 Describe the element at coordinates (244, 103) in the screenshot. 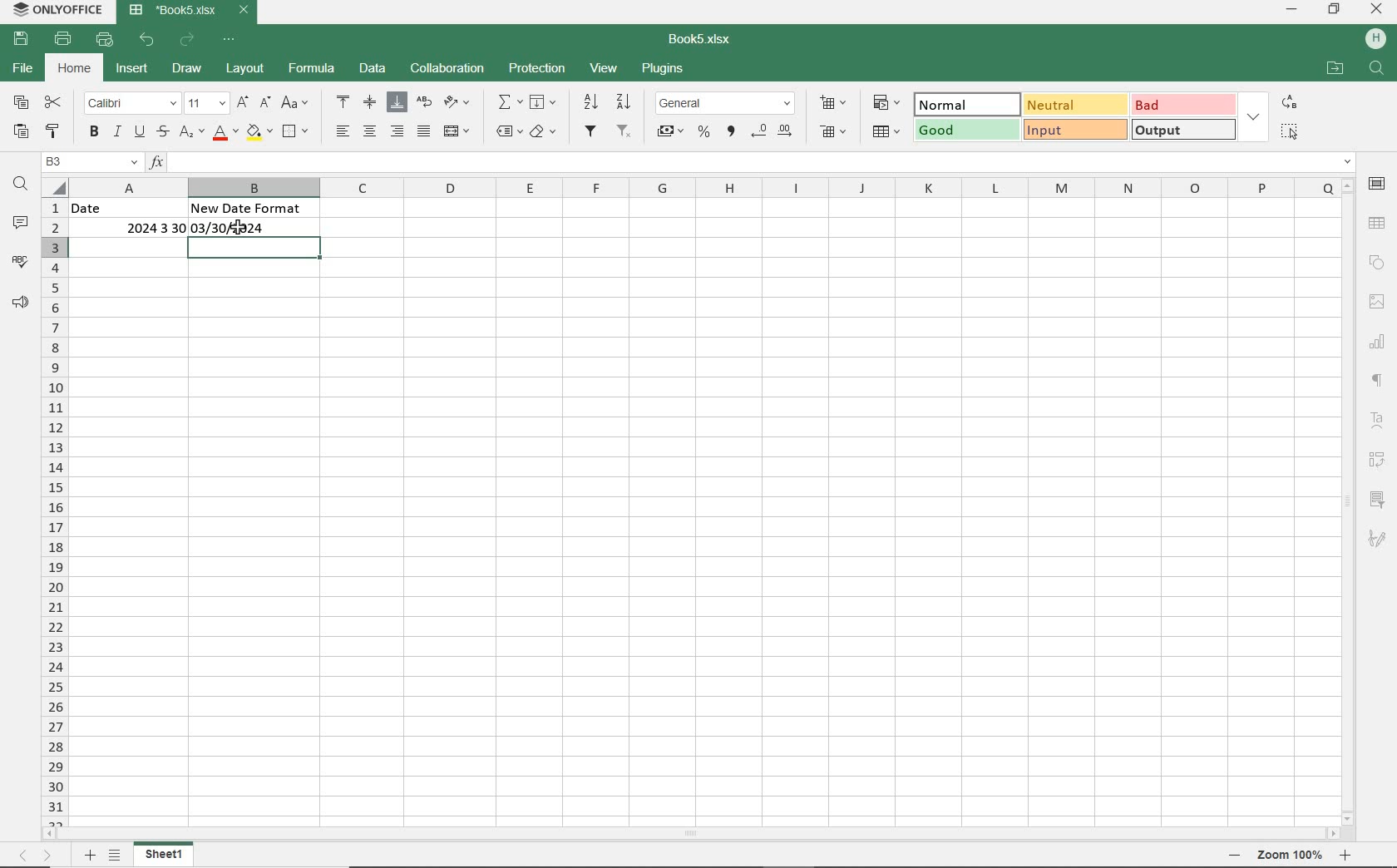

I see `INCREMENT FONT SIZE` at that location.